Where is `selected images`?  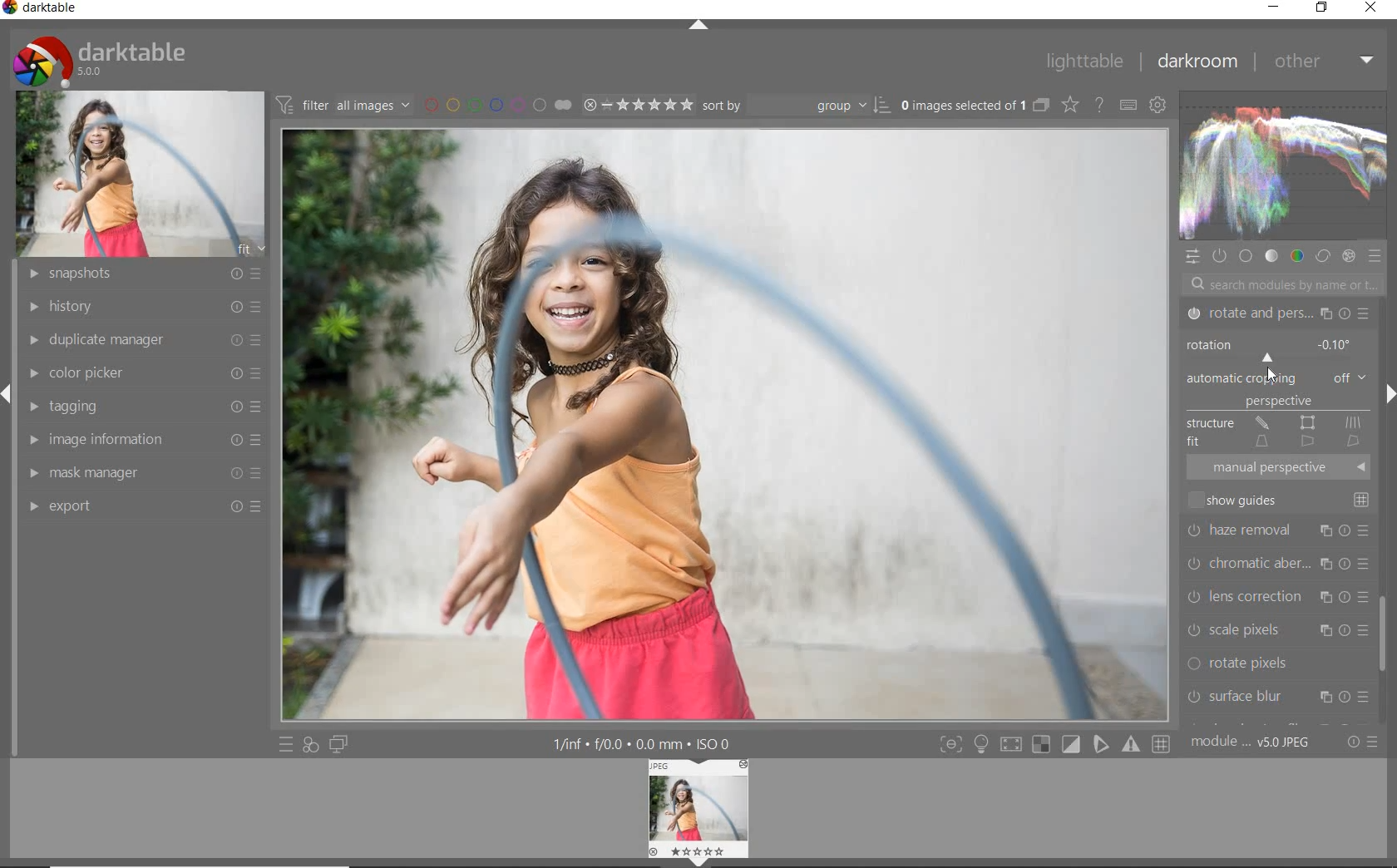
selected images is located at coordinates (964, 106).